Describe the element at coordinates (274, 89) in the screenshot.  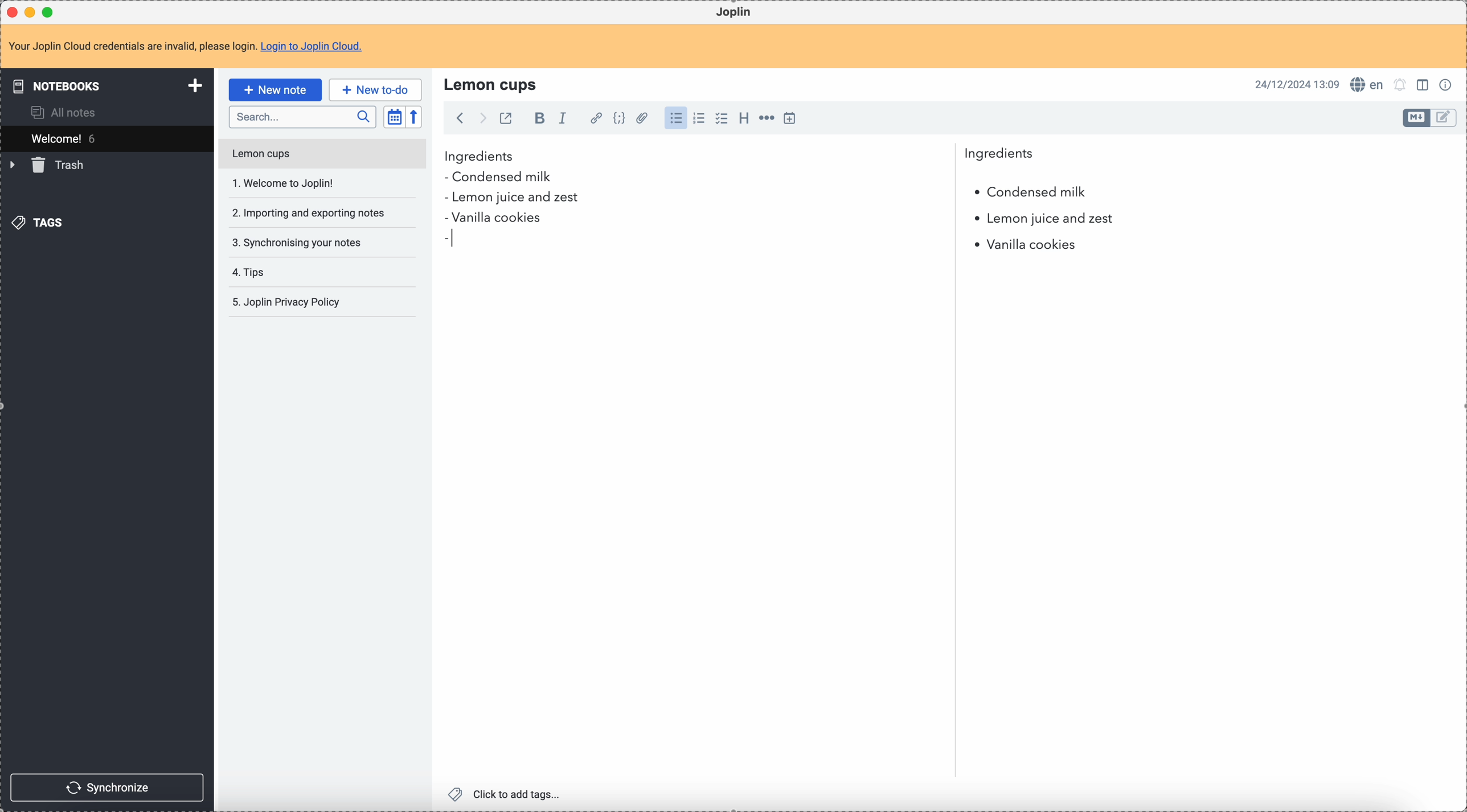
I see `click on new note` at that location.